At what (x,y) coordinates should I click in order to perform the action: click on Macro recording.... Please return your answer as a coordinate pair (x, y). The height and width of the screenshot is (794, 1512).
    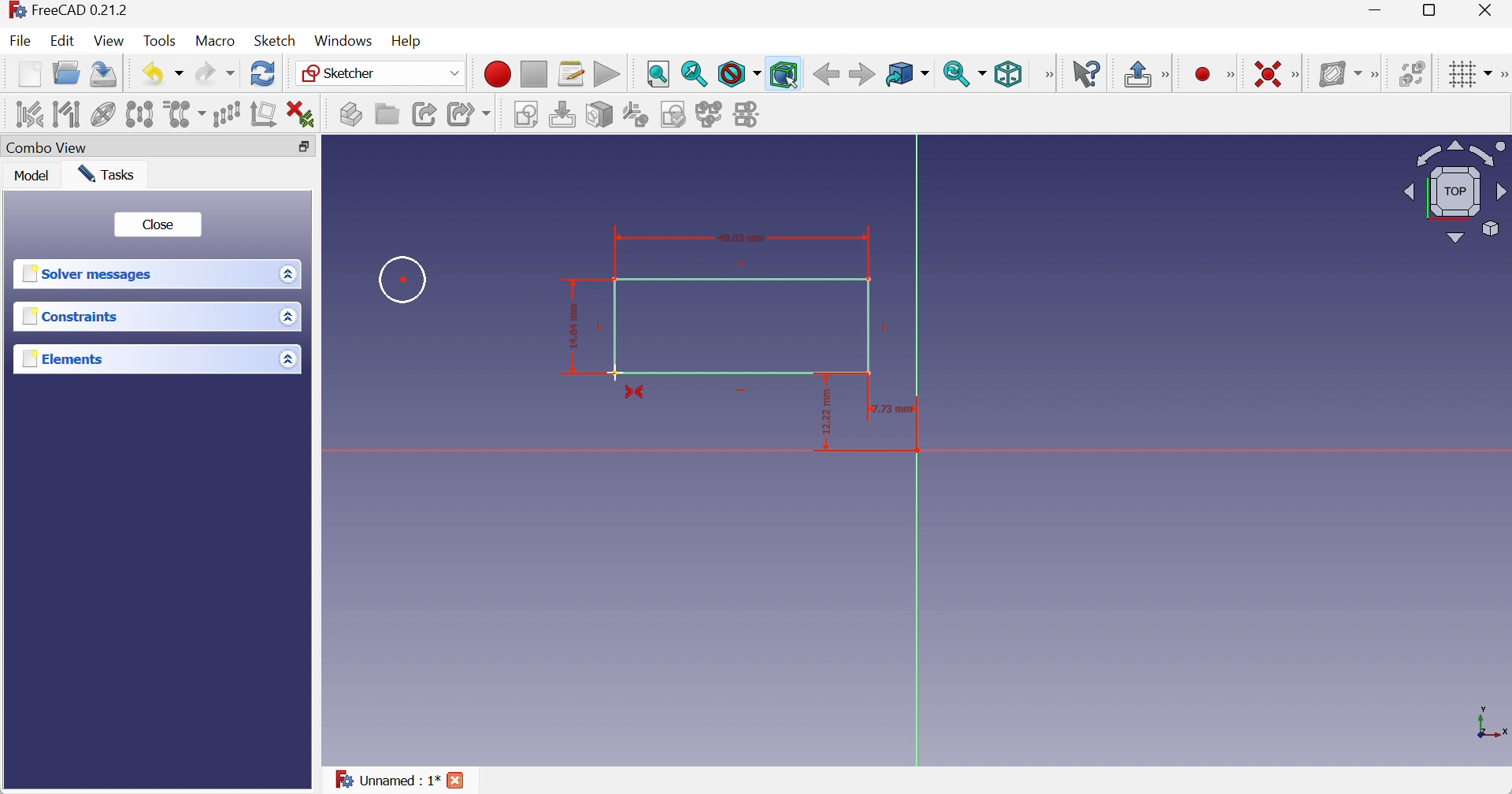
    Looking at the image, I should click on (497, 74).